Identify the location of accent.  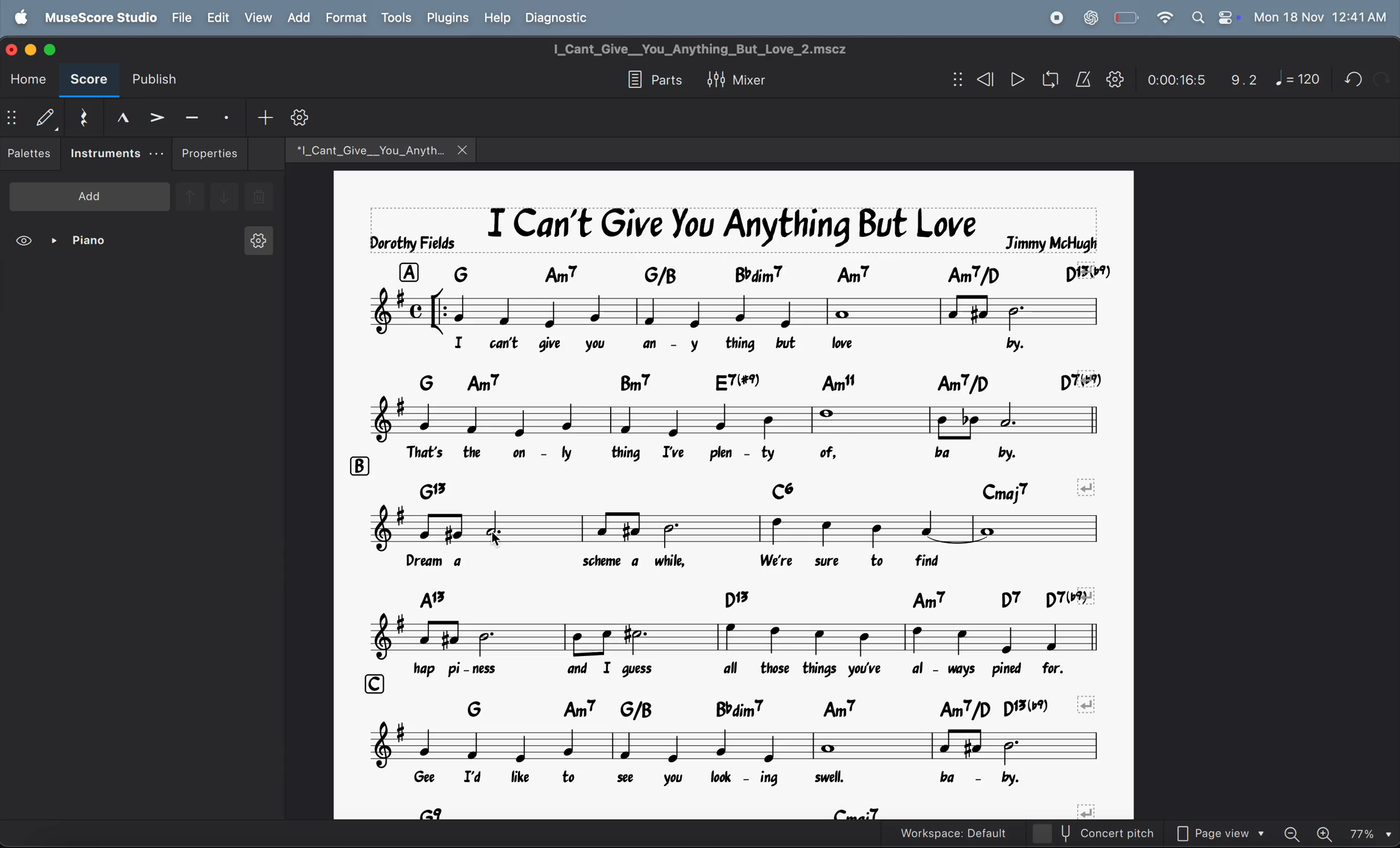
(153, 114).